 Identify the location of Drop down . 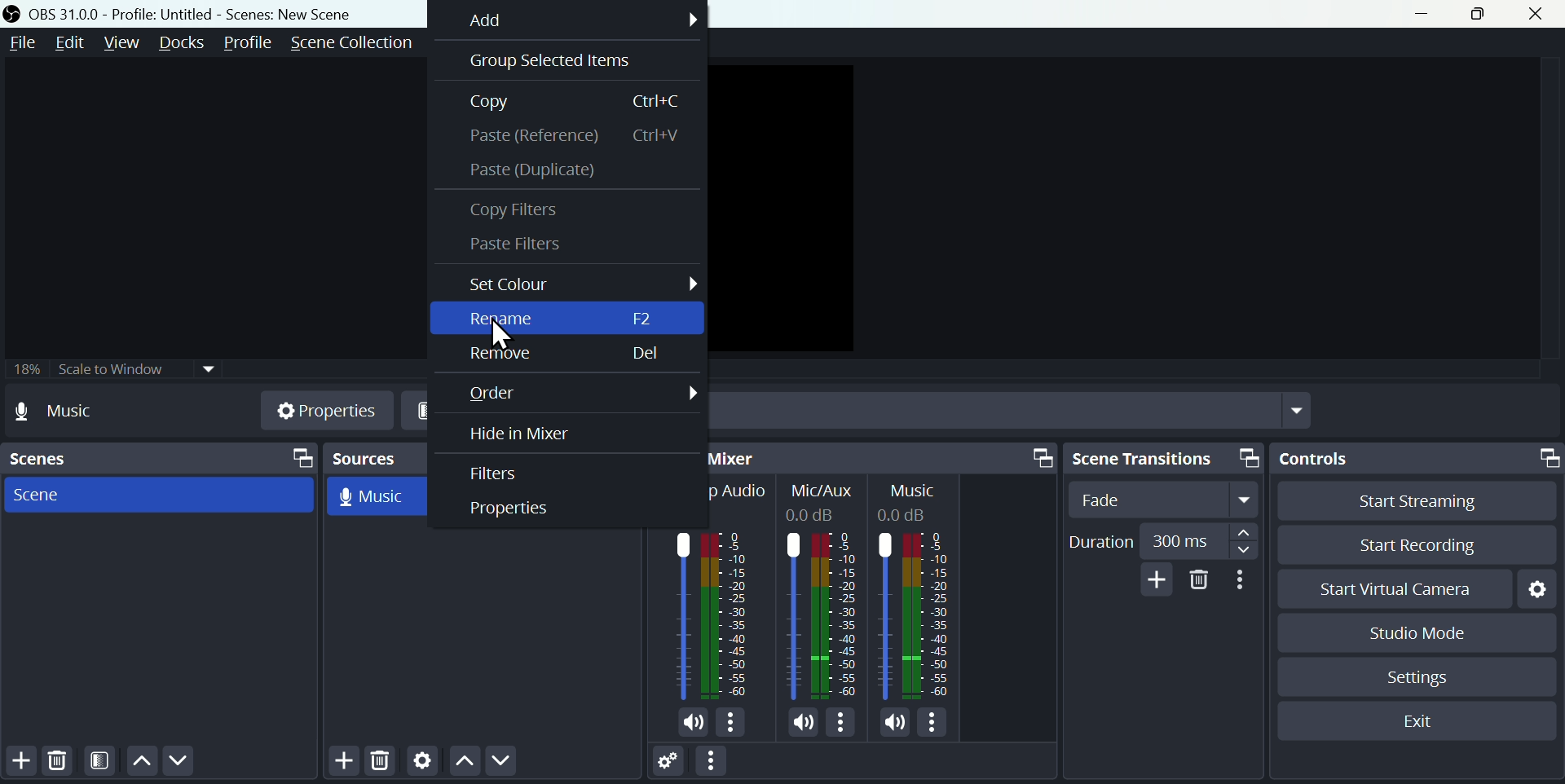
(1300, 410).